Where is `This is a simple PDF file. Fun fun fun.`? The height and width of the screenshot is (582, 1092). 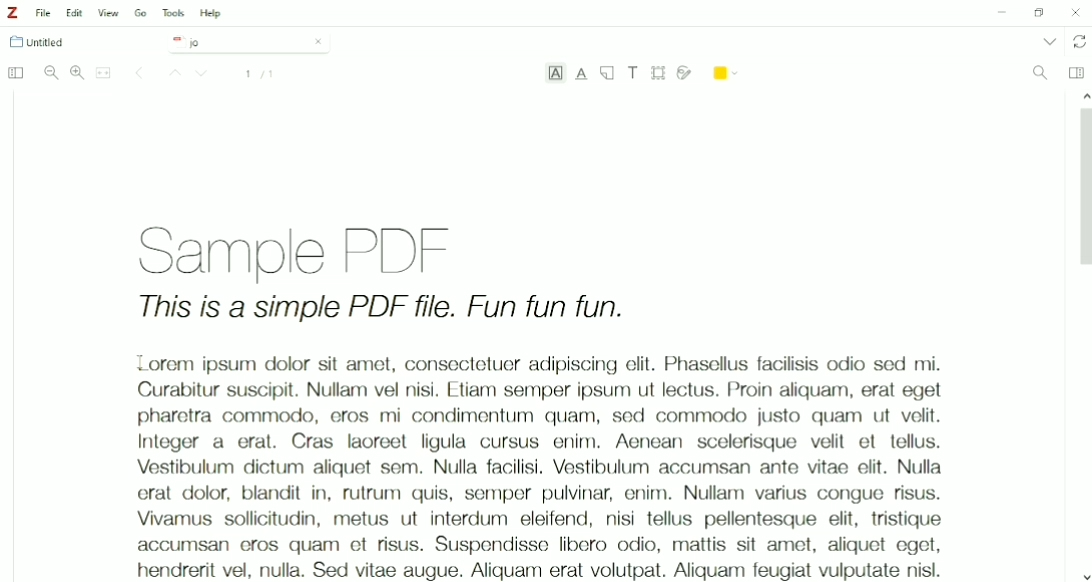 This is a simple PDF file. Fun fun fun. is located at coordinates (382, 310).